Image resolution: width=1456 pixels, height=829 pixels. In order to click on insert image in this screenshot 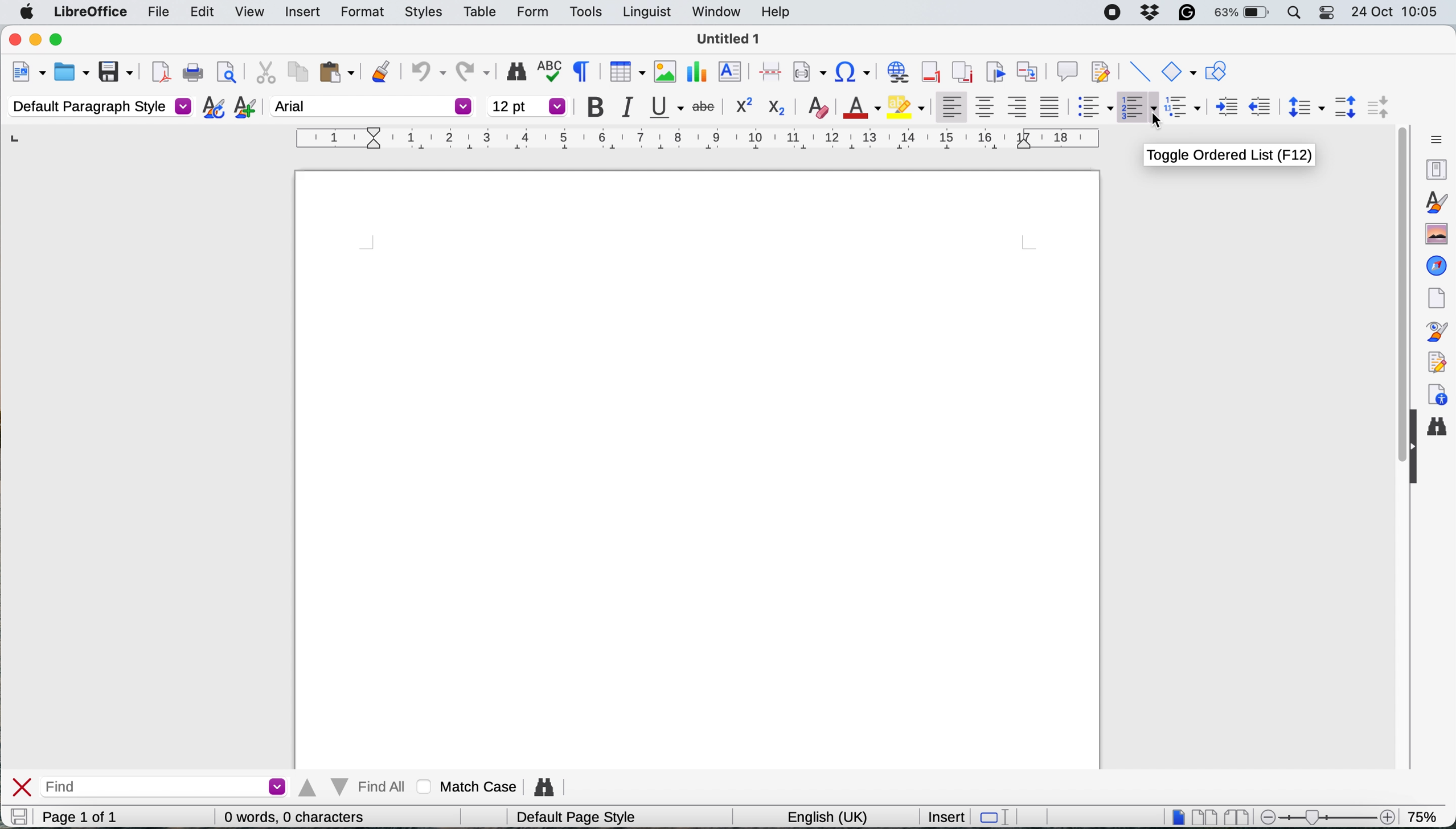, I will do `click(663, 71)`.